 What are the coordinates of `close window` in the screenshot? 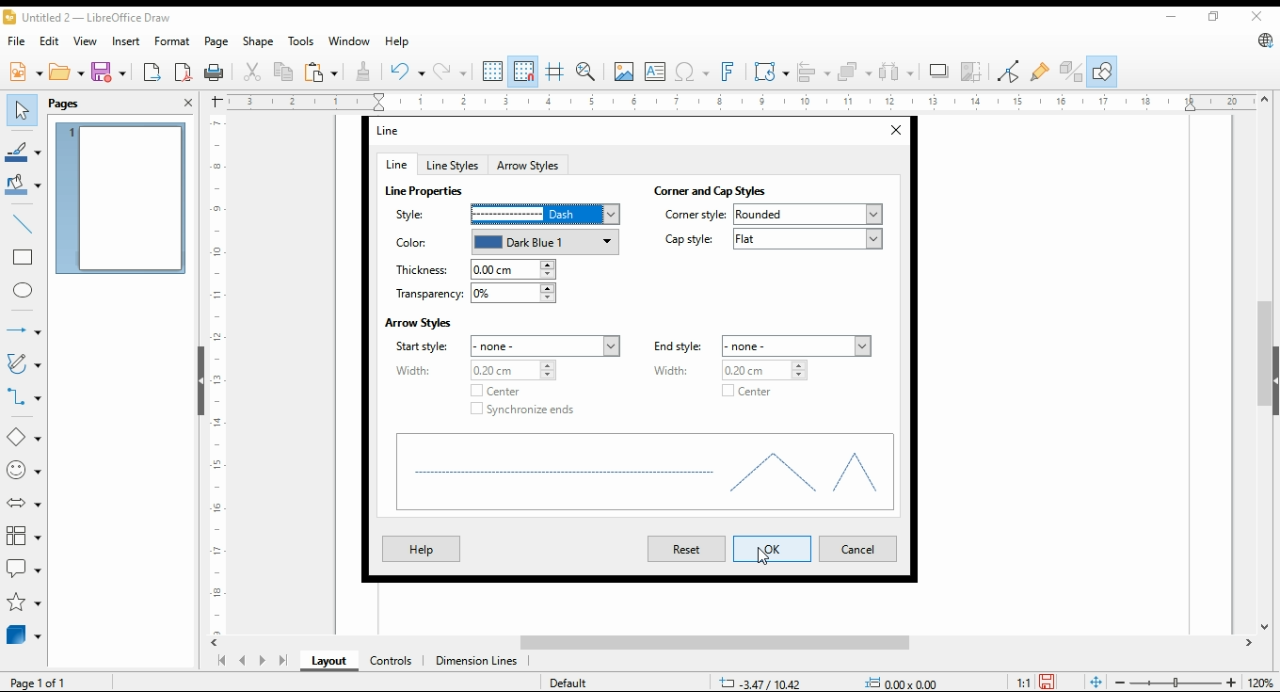 It's located at (1258, 16).